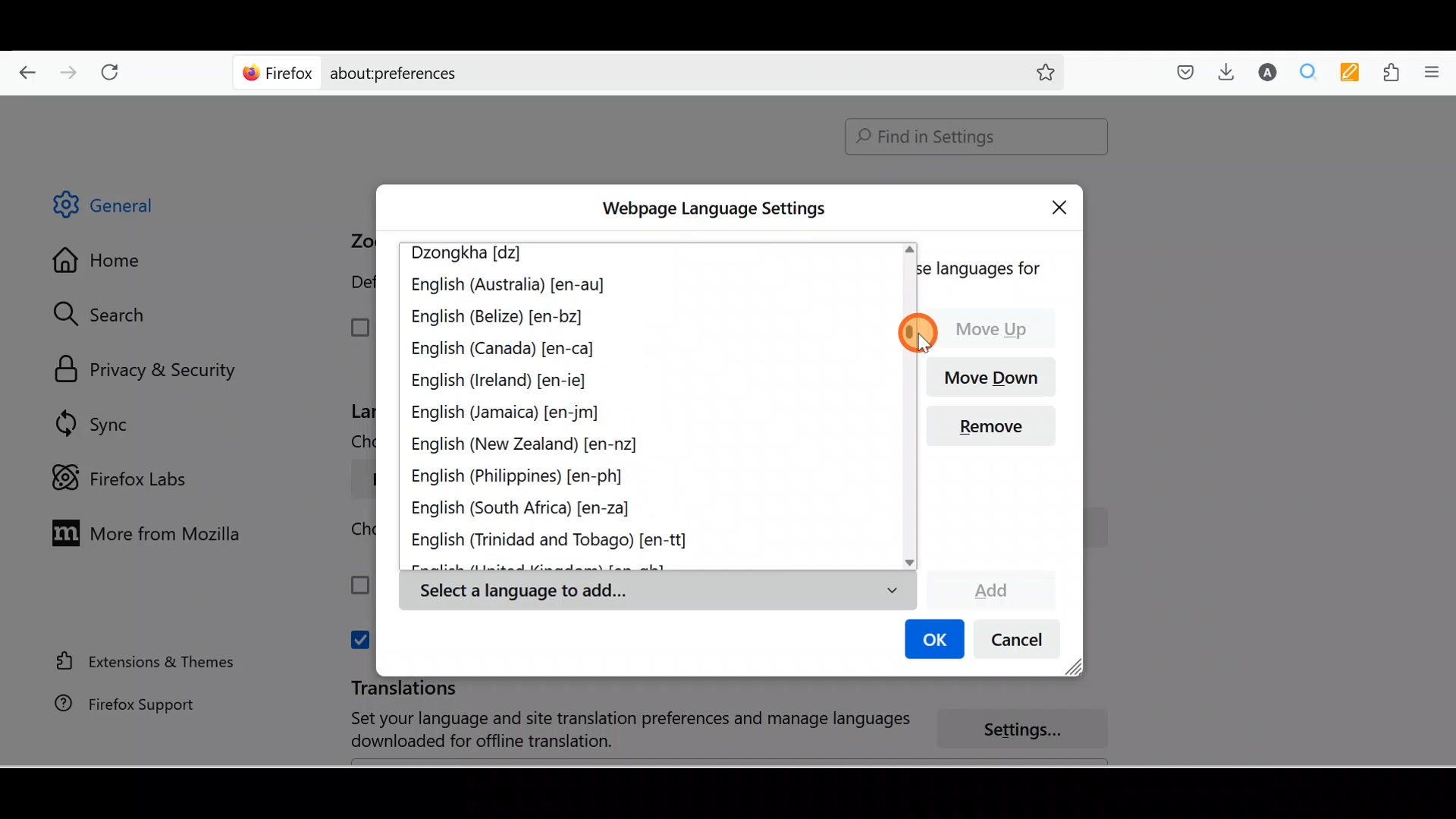 The height and width of the screenshot is (819, 1456). What do you see at coordinates (915, 333) in the screenshot?
I see `cursor` at bounding box center [915, 333].